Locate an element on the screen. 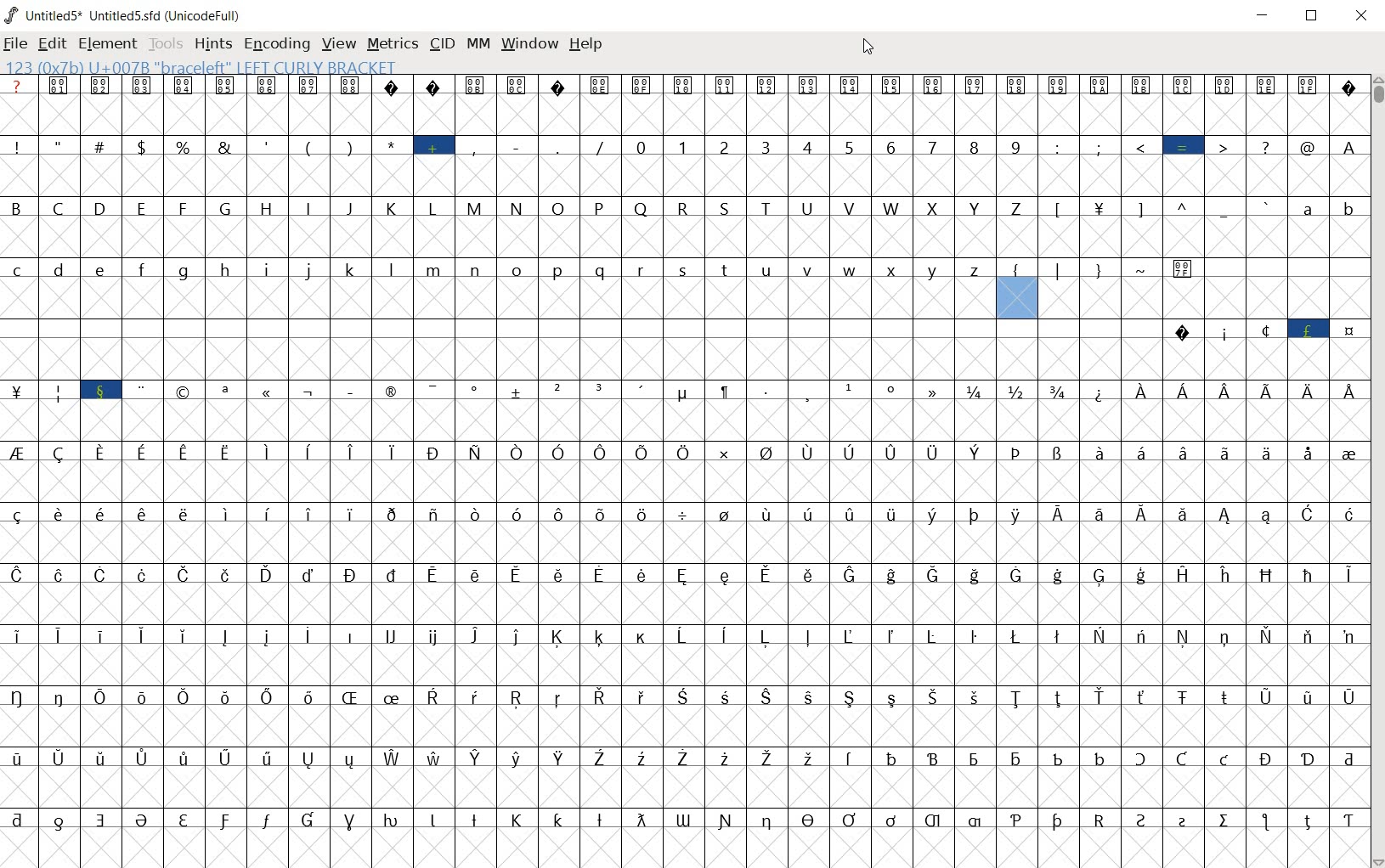  scrollbar is located at coordinates (1377, 471).